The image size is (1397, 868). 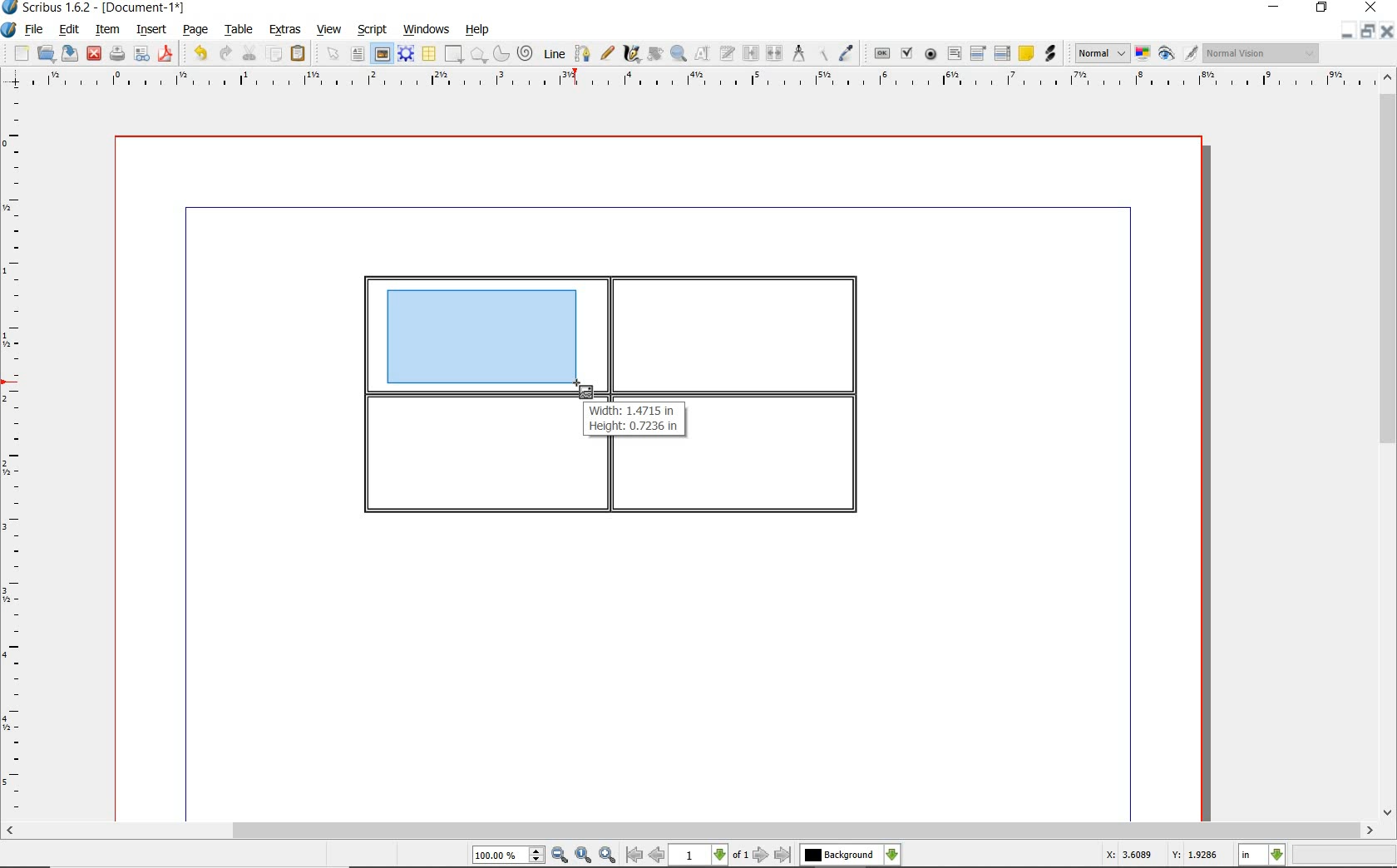 I want to click on shape, so click(x=452, y=55).